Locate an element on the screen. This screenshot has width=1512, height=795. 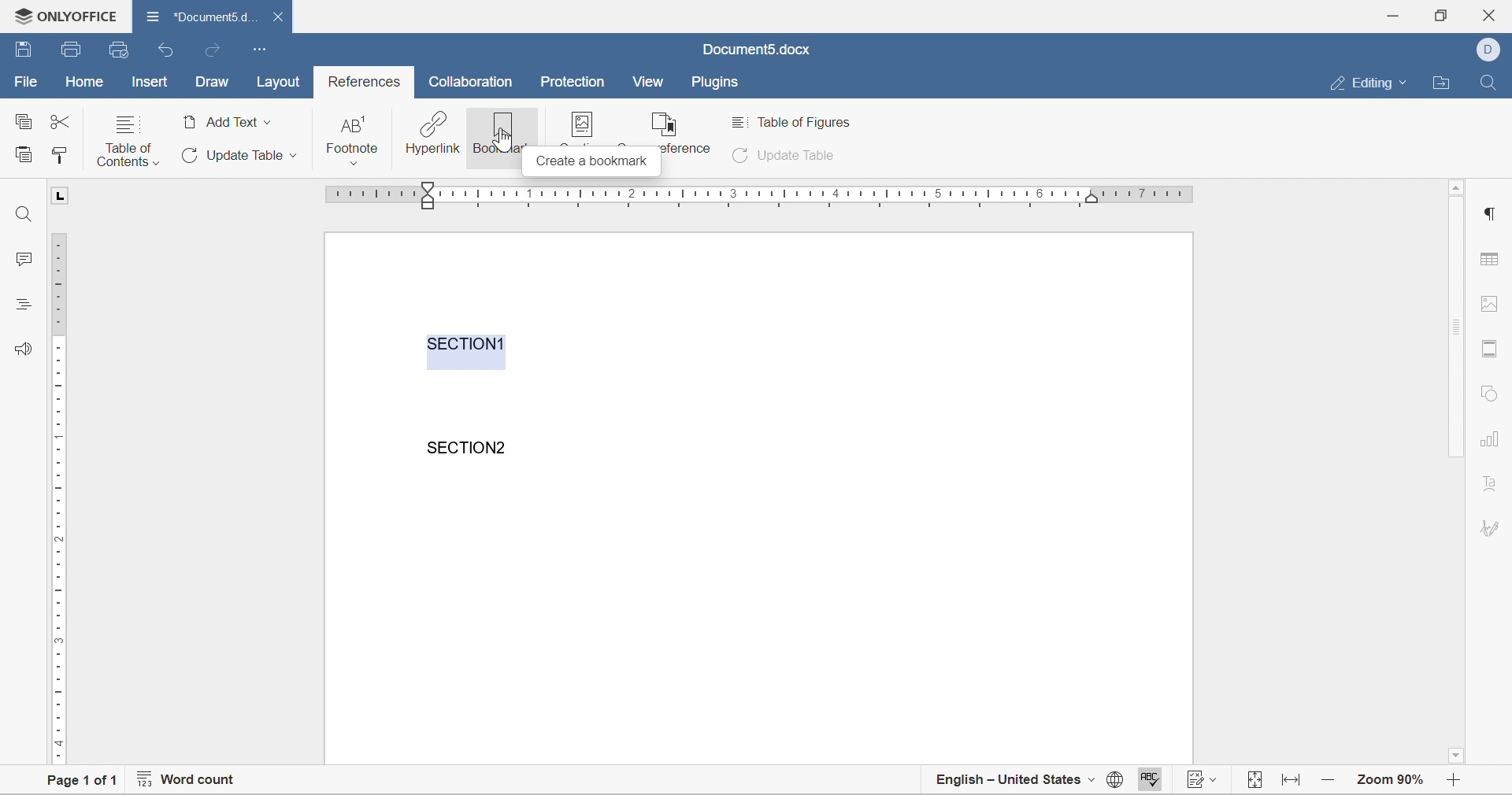
find is located at coordinates (1488, 80).